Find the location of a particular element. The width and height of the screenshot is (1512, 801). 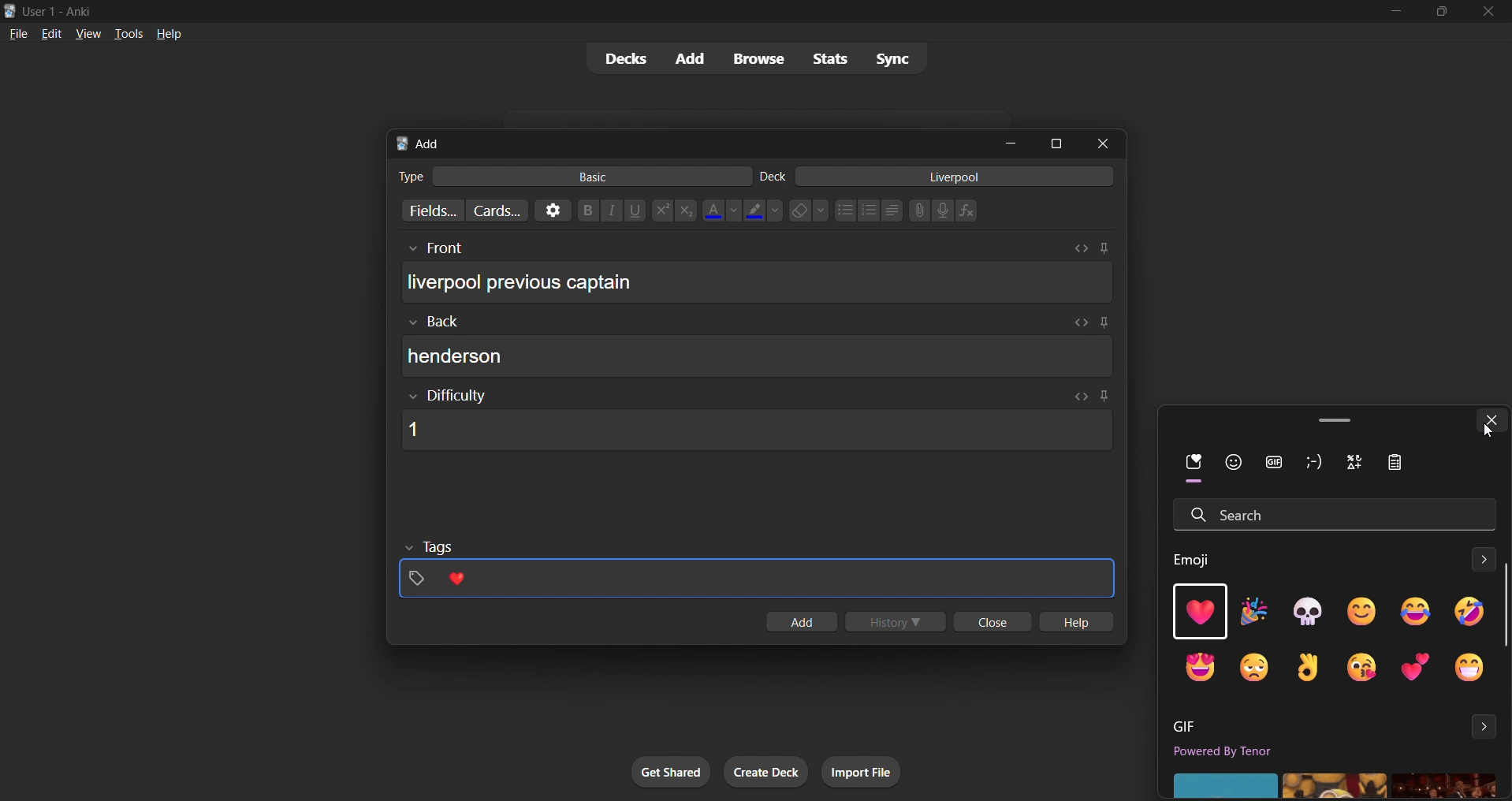

clear is located at coordinates (808, 210).